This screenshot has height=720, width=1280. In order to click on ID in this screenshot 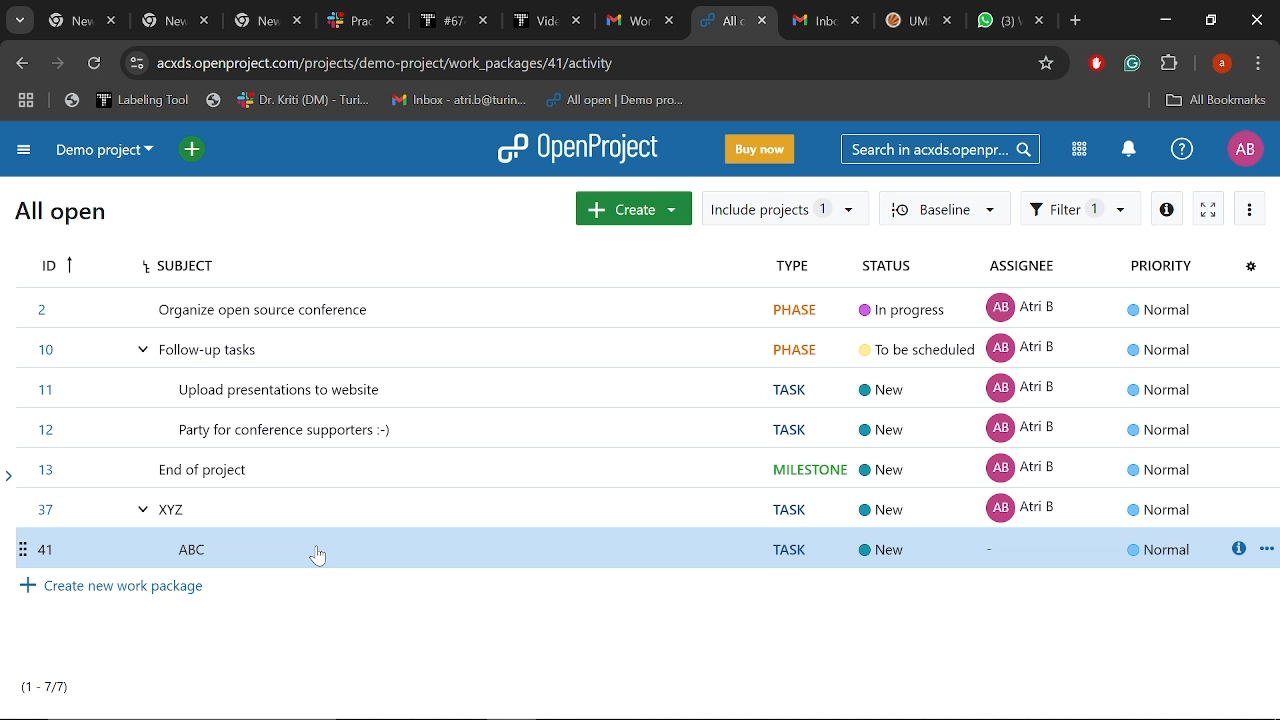, I will do `click(59, 266)`.